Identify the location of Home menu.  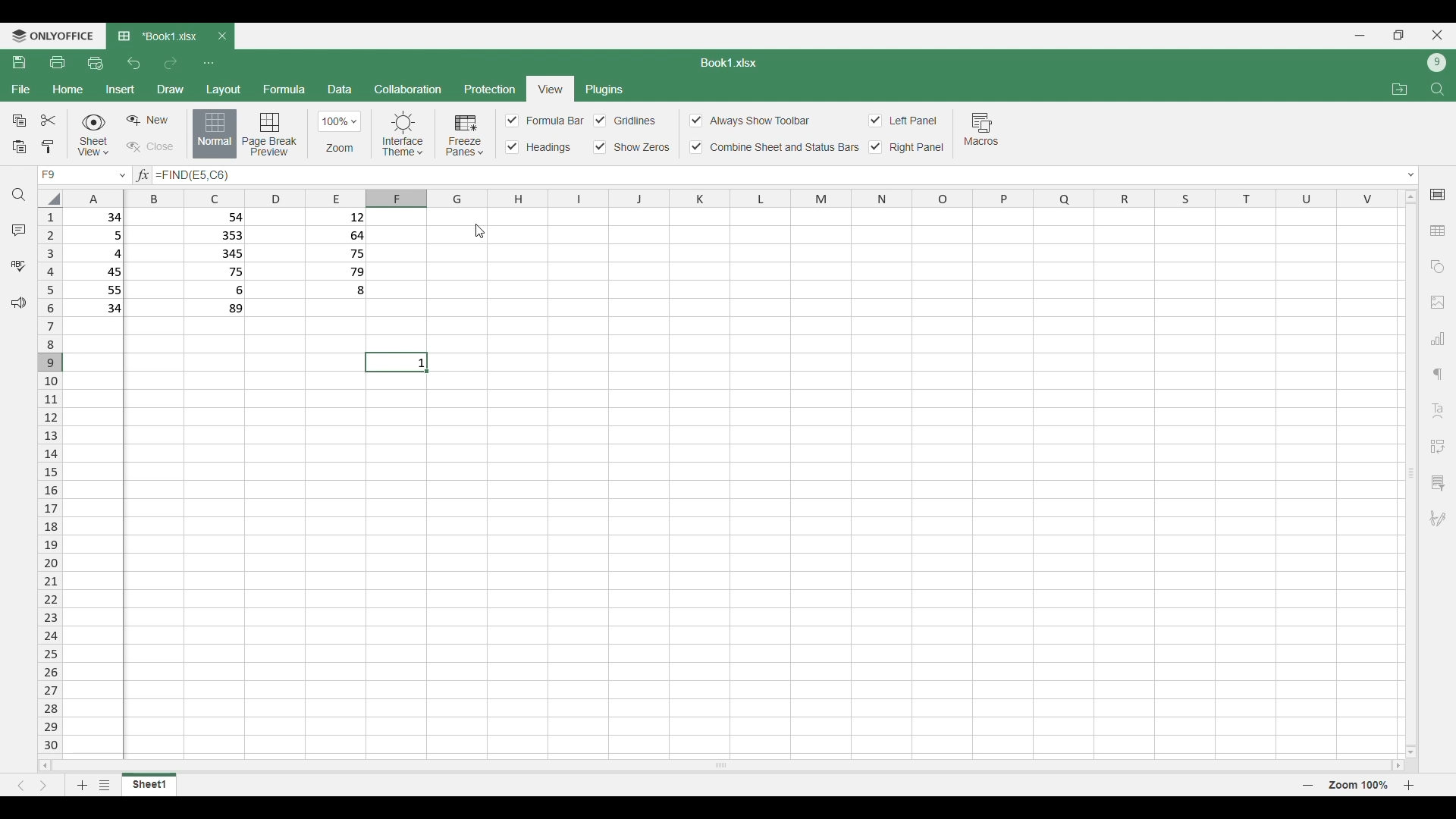
(67, 89).